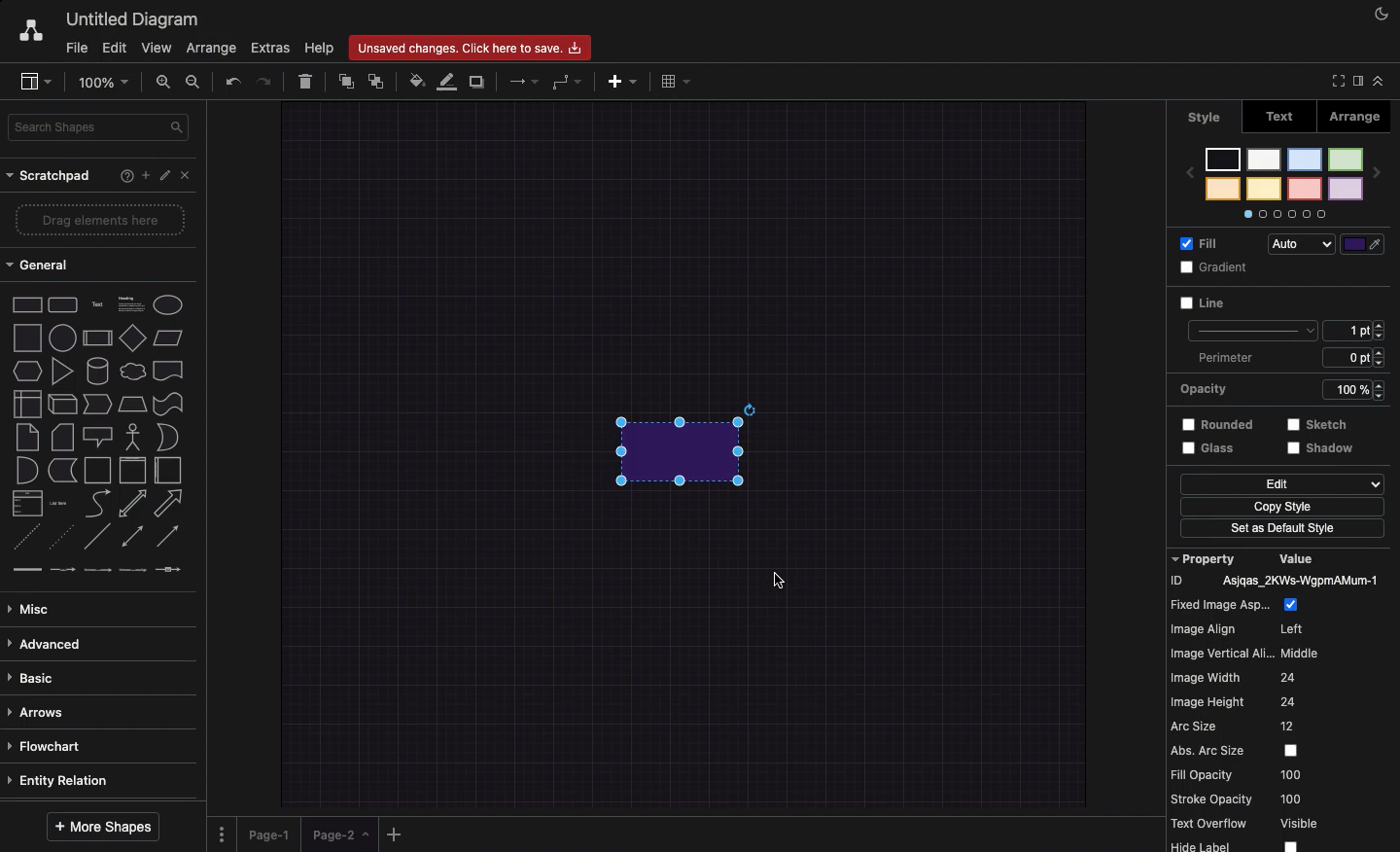  Describe the element at coordinates (1336, 83) in the screenshot. I see `Full screen` at that location.